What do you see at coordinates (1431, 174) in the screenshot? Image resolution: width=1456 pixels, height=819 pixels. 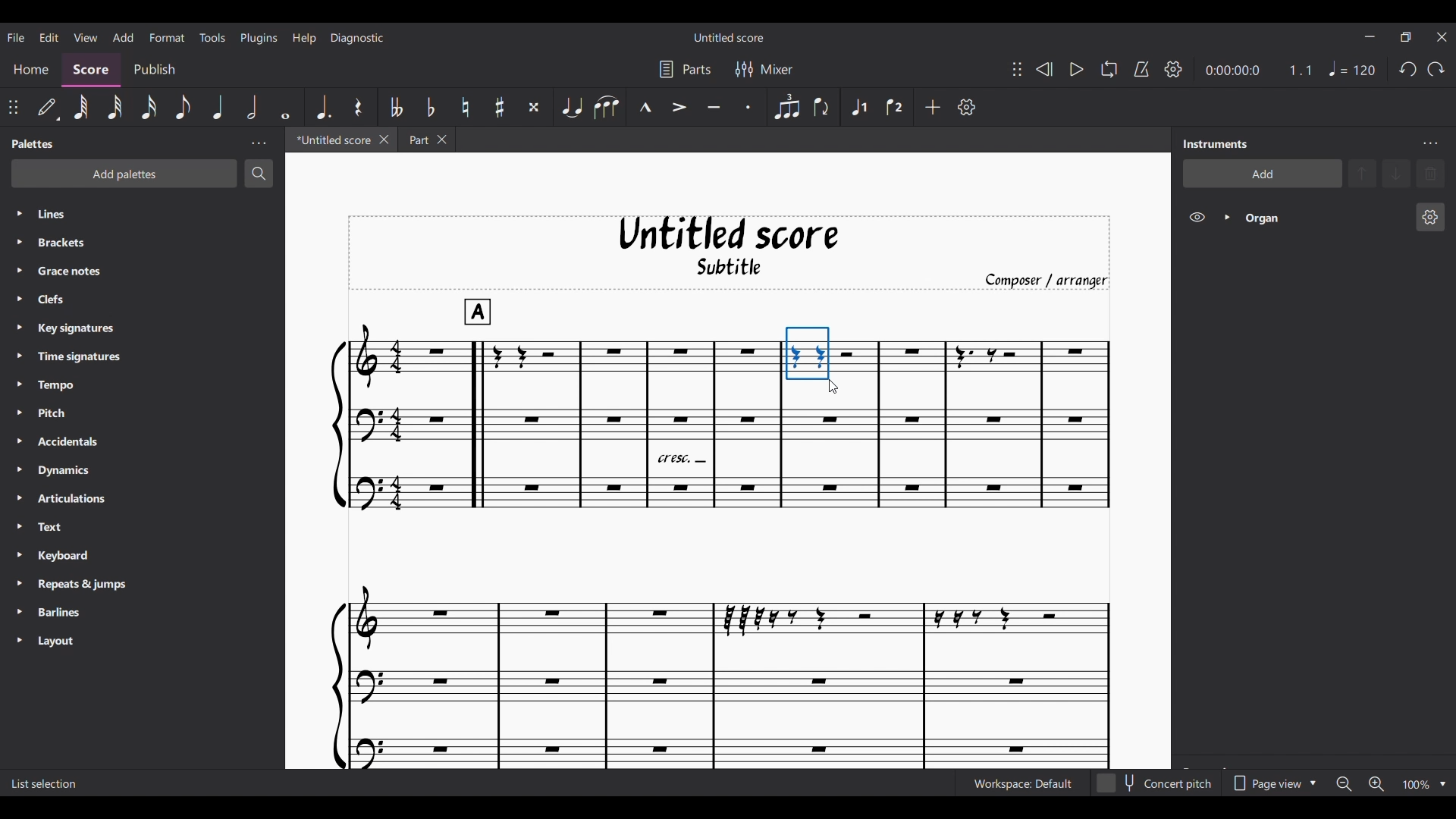 I see `Delete selection` at bounding box center [1431, 174].